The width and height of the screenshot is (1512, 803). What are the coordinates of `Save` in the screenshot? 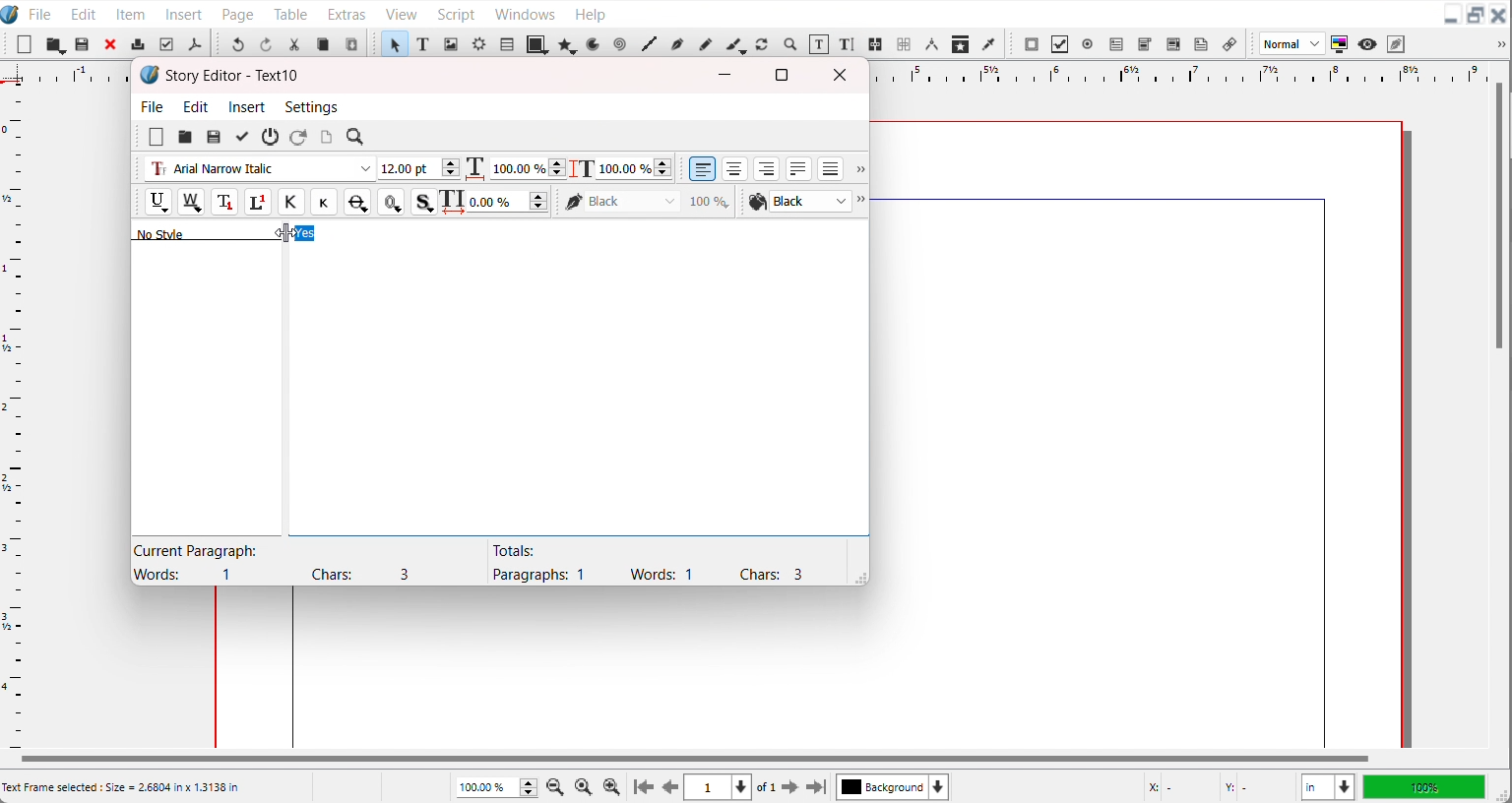 It's located at (214, 137).